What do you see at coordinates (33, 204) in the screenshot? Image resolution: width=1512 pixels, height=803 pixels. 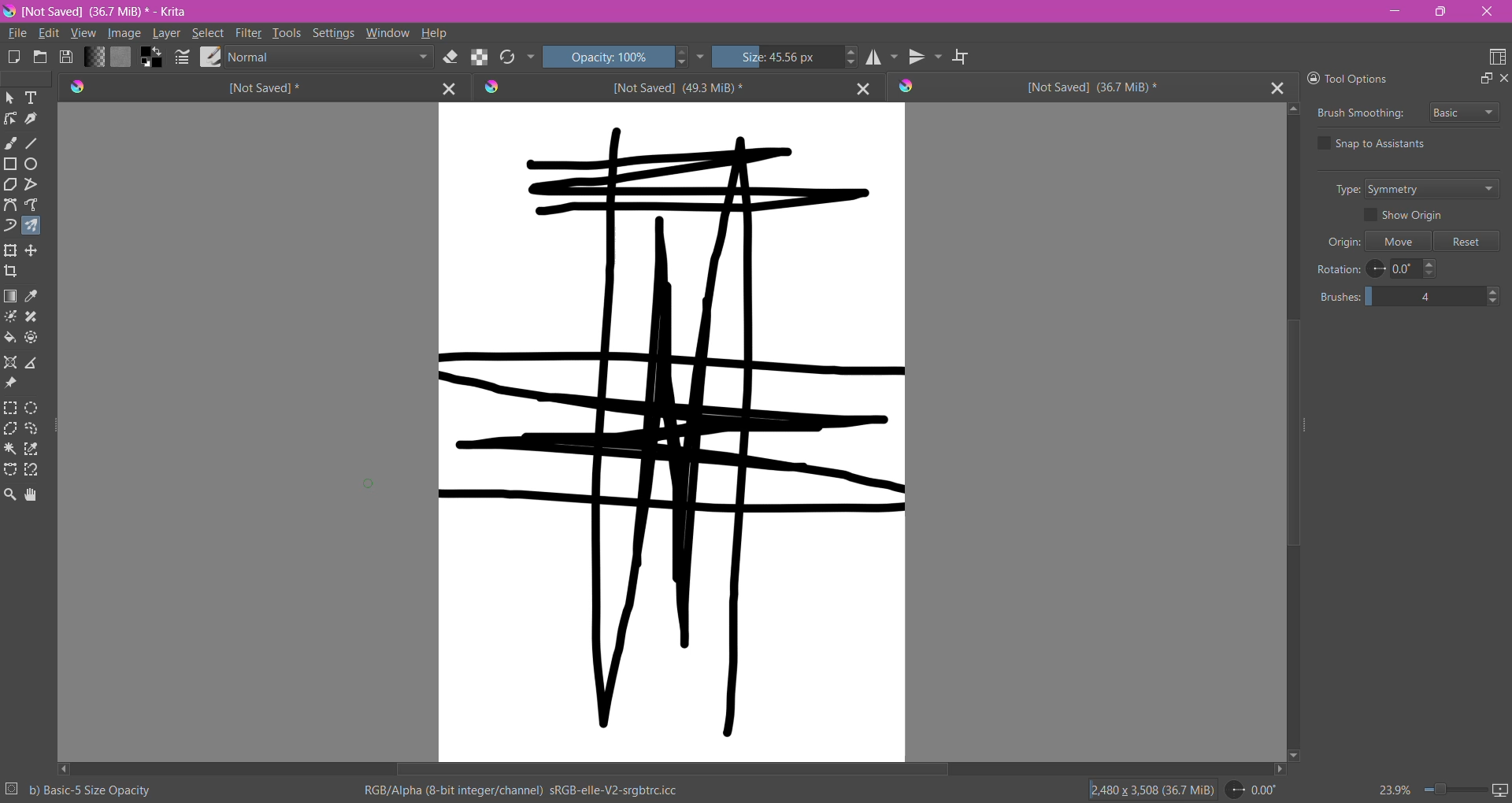 I see `Freehand Path Tool` at bounding box center [33, 204].